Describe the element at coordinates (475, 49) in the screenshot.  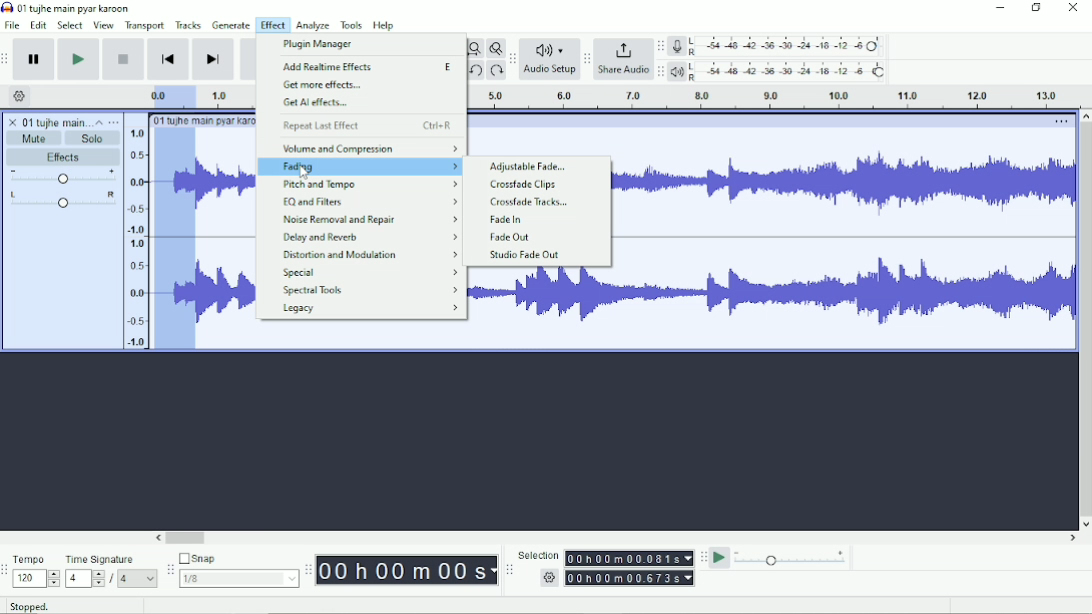
I see `Fit project to width` at that location.